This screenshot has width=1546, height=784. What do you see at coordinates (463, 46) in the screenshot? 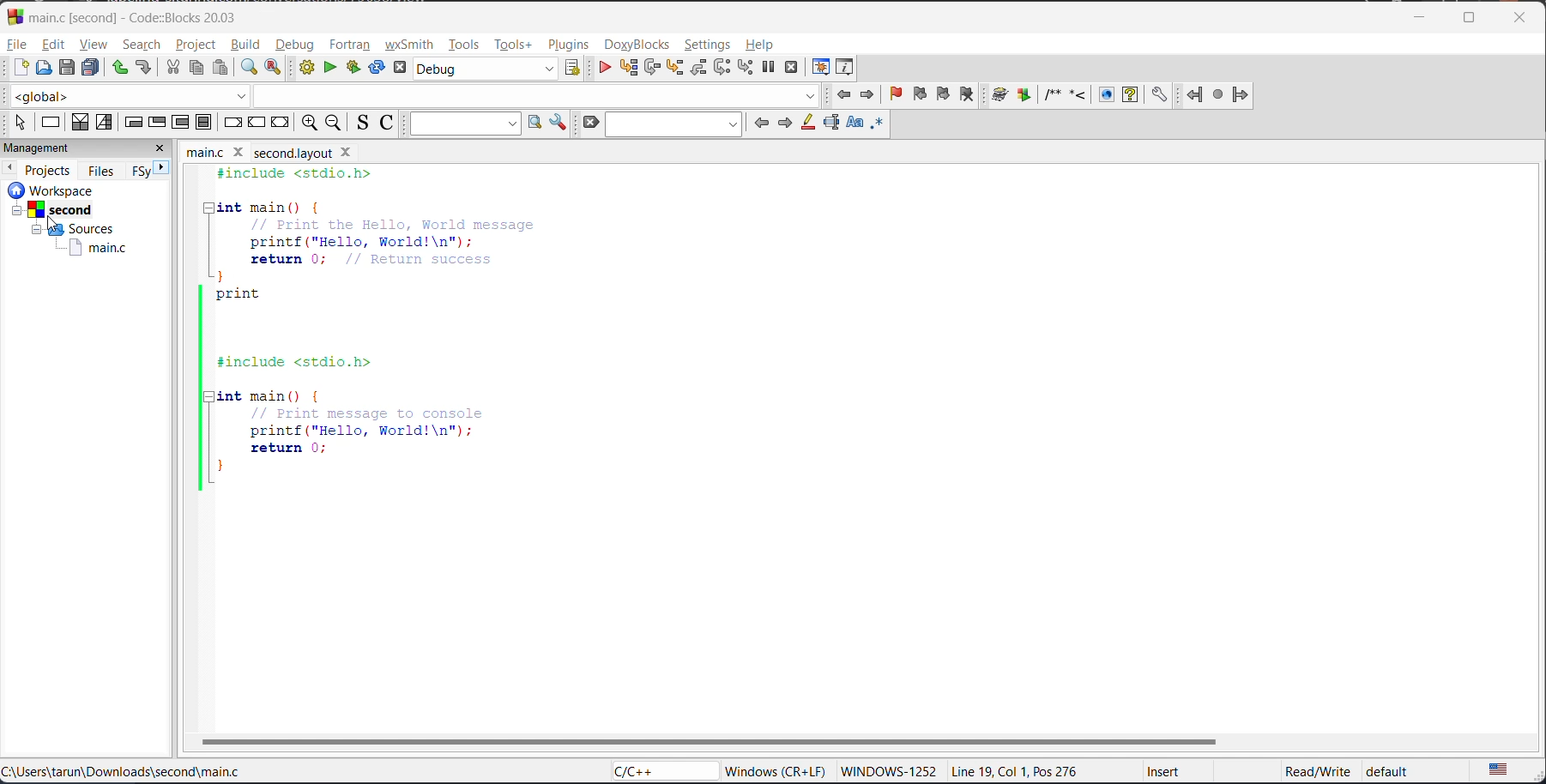
I see `tools` at bounding box center [463, 46].